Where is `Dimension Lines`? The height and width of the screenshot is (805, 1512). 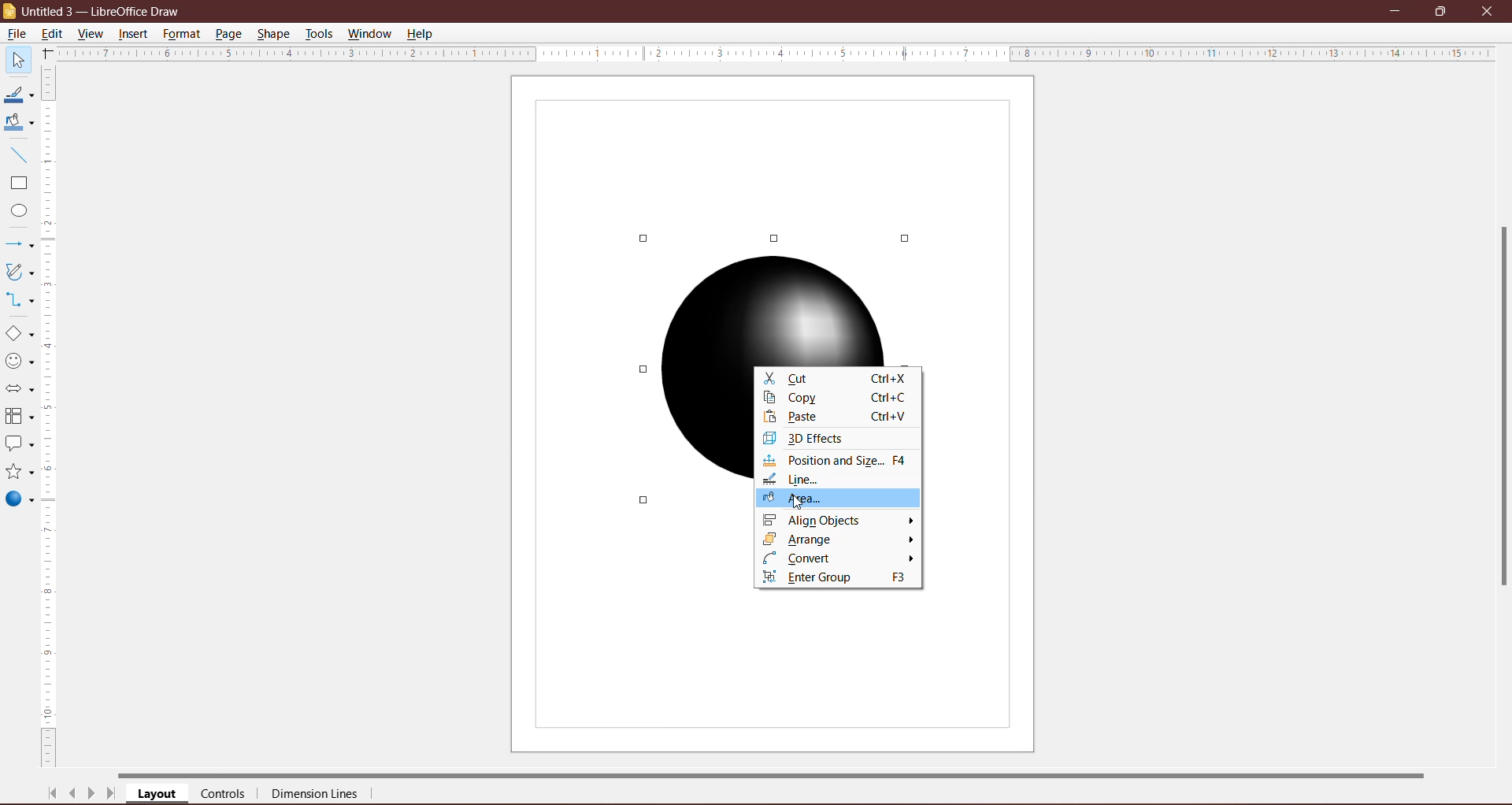
Dimension Lines is located at coordinates (316, 796).